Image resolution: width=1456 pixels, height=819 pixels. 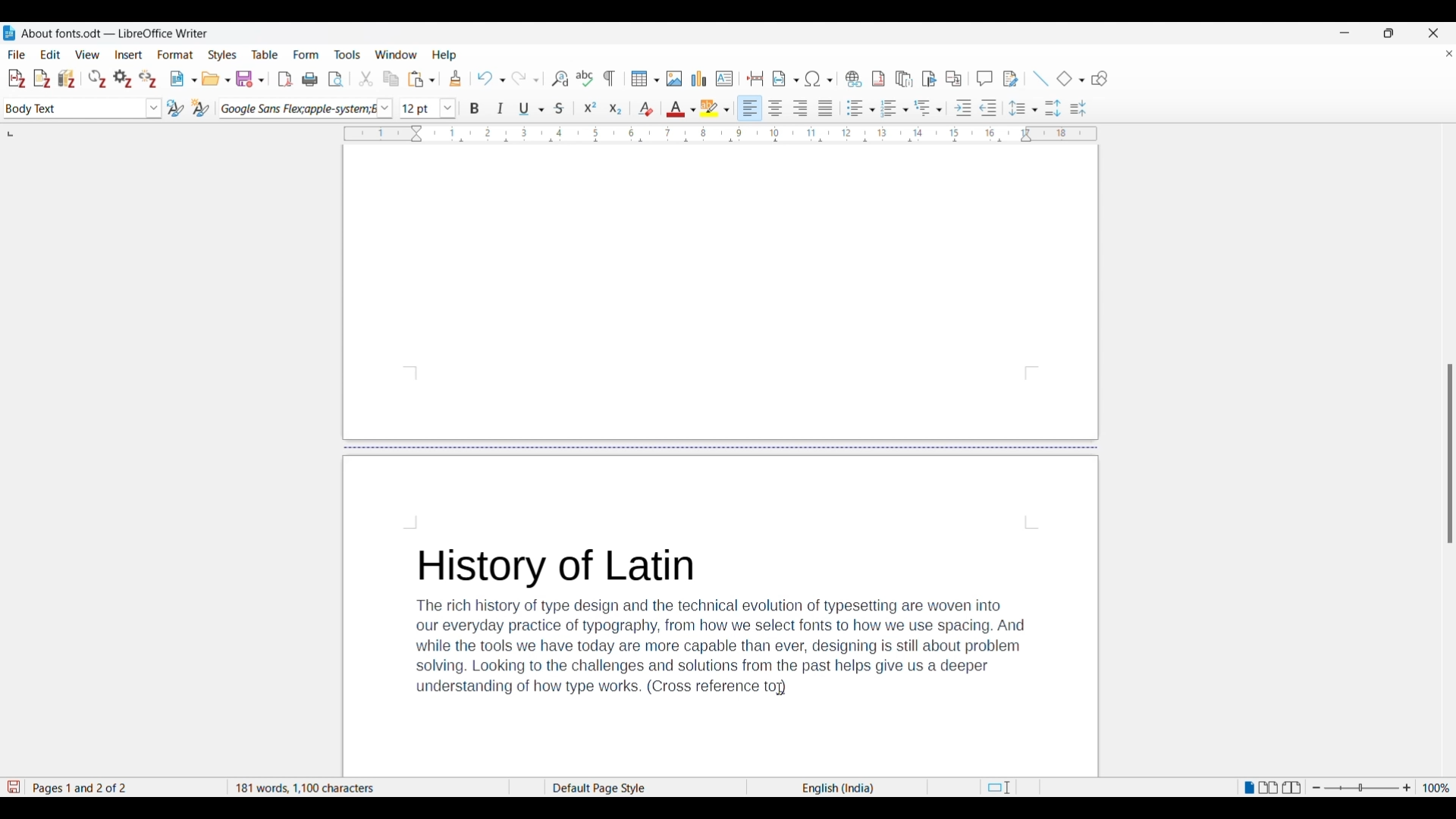 I want to click on File menu, so click(x=17, y=55).